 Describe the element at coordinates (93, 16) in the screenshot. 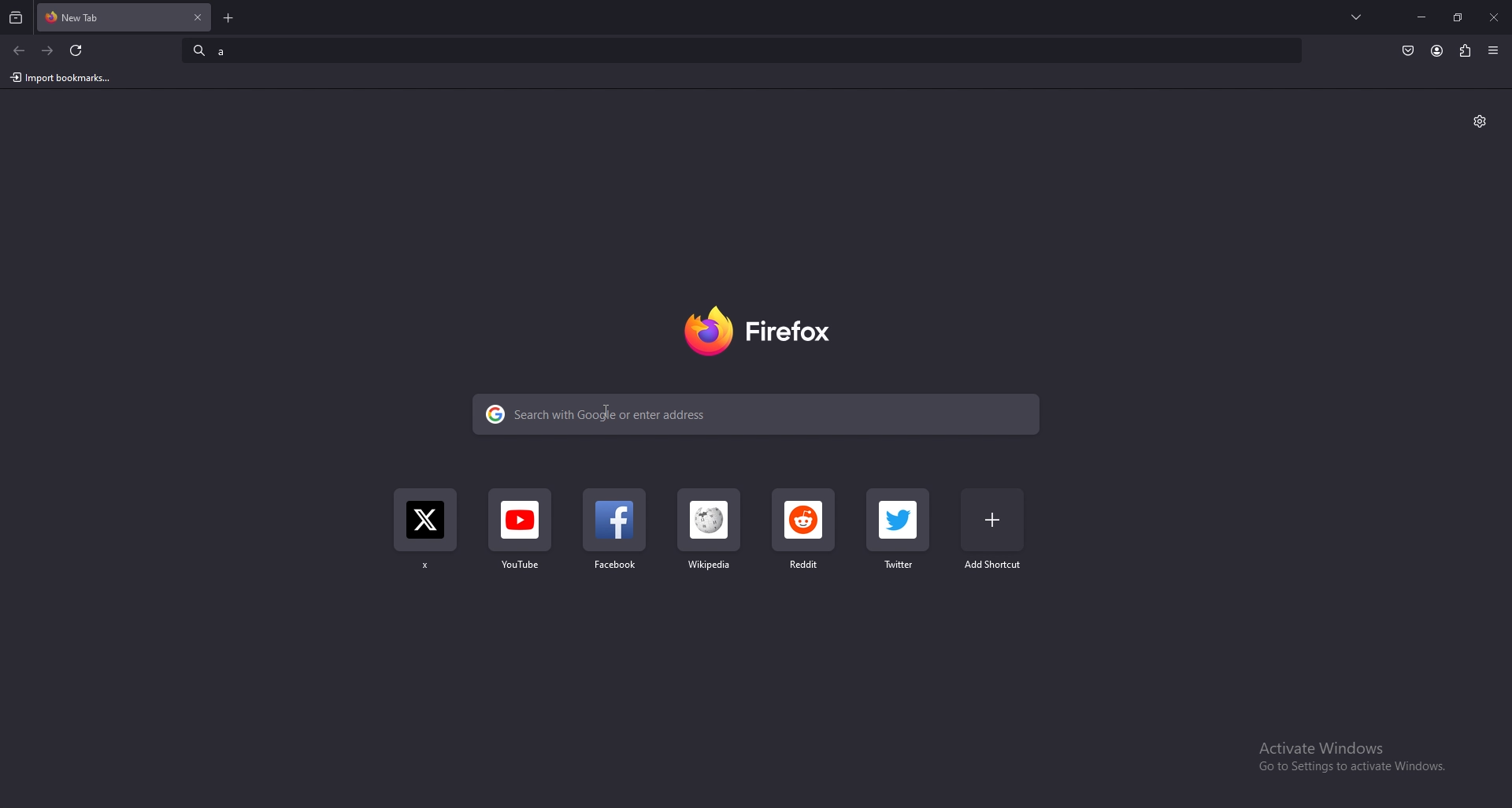

I see `tab` at that location.